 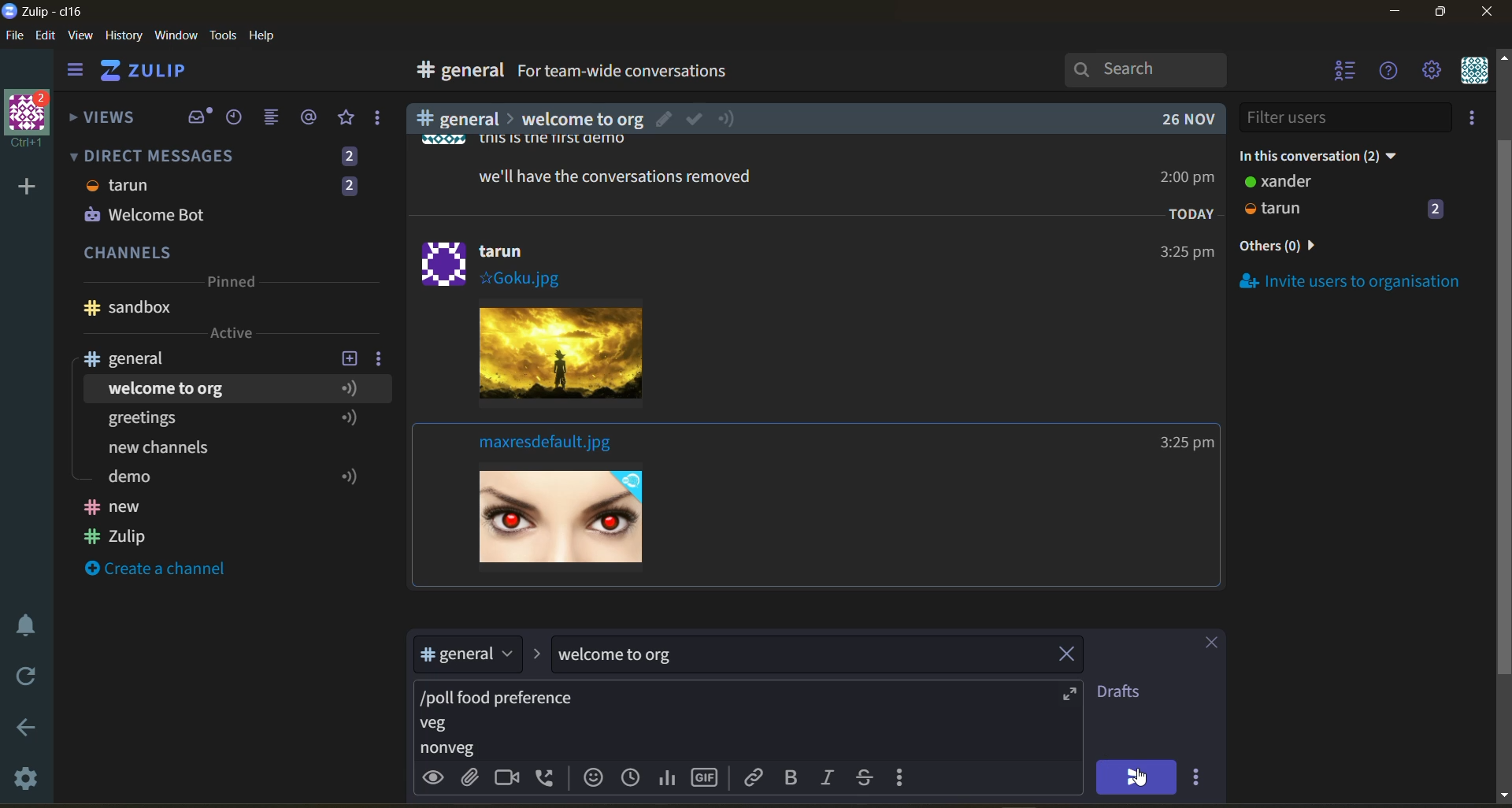 What do you see at coordinates (1503, 421) in the screenshot?
I see `Scroll bar` at bounding box center [1503, 421].